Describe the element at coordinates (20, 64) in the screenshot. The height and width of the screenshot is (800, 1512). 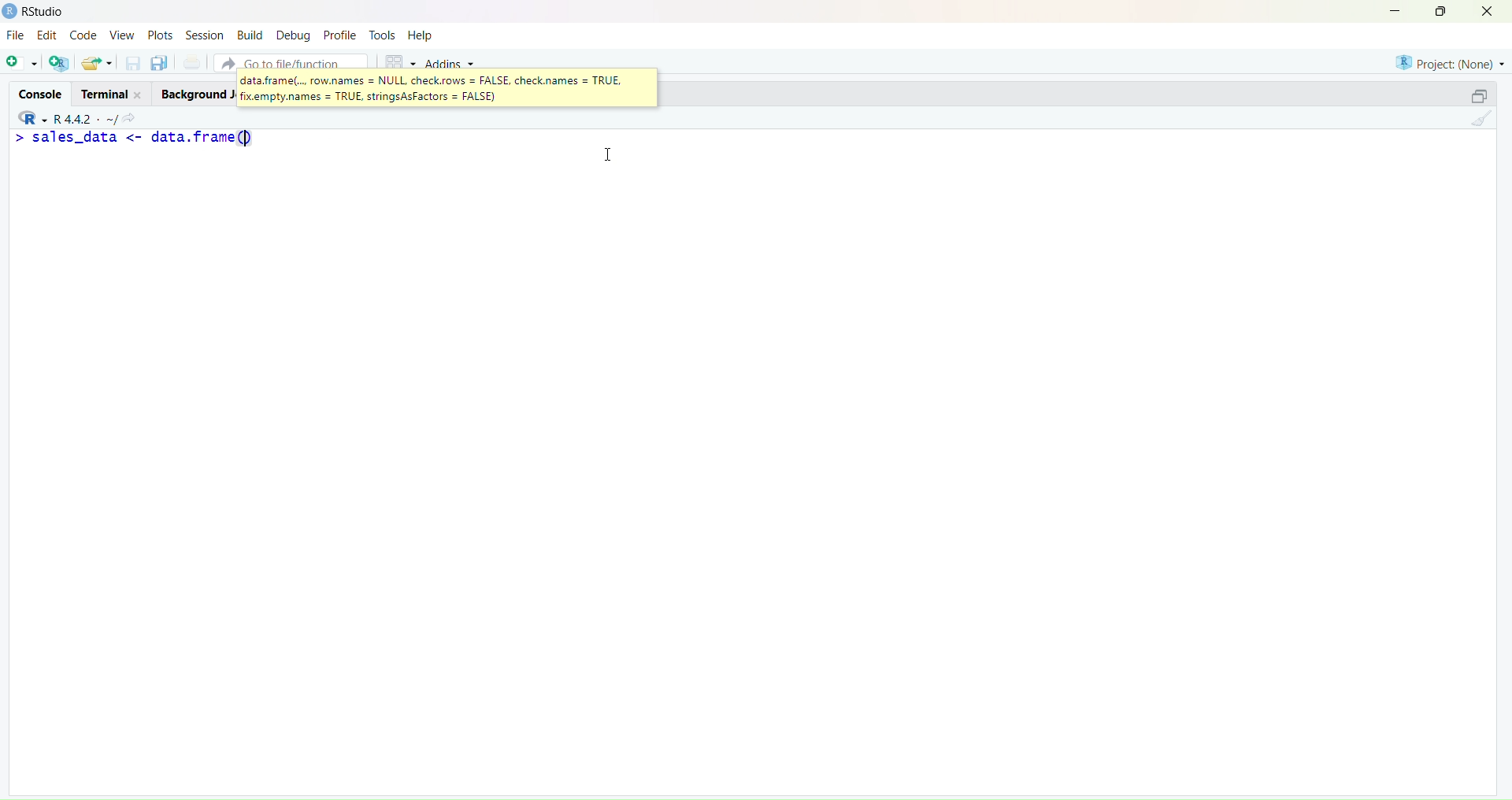
I see `add script` at that location.